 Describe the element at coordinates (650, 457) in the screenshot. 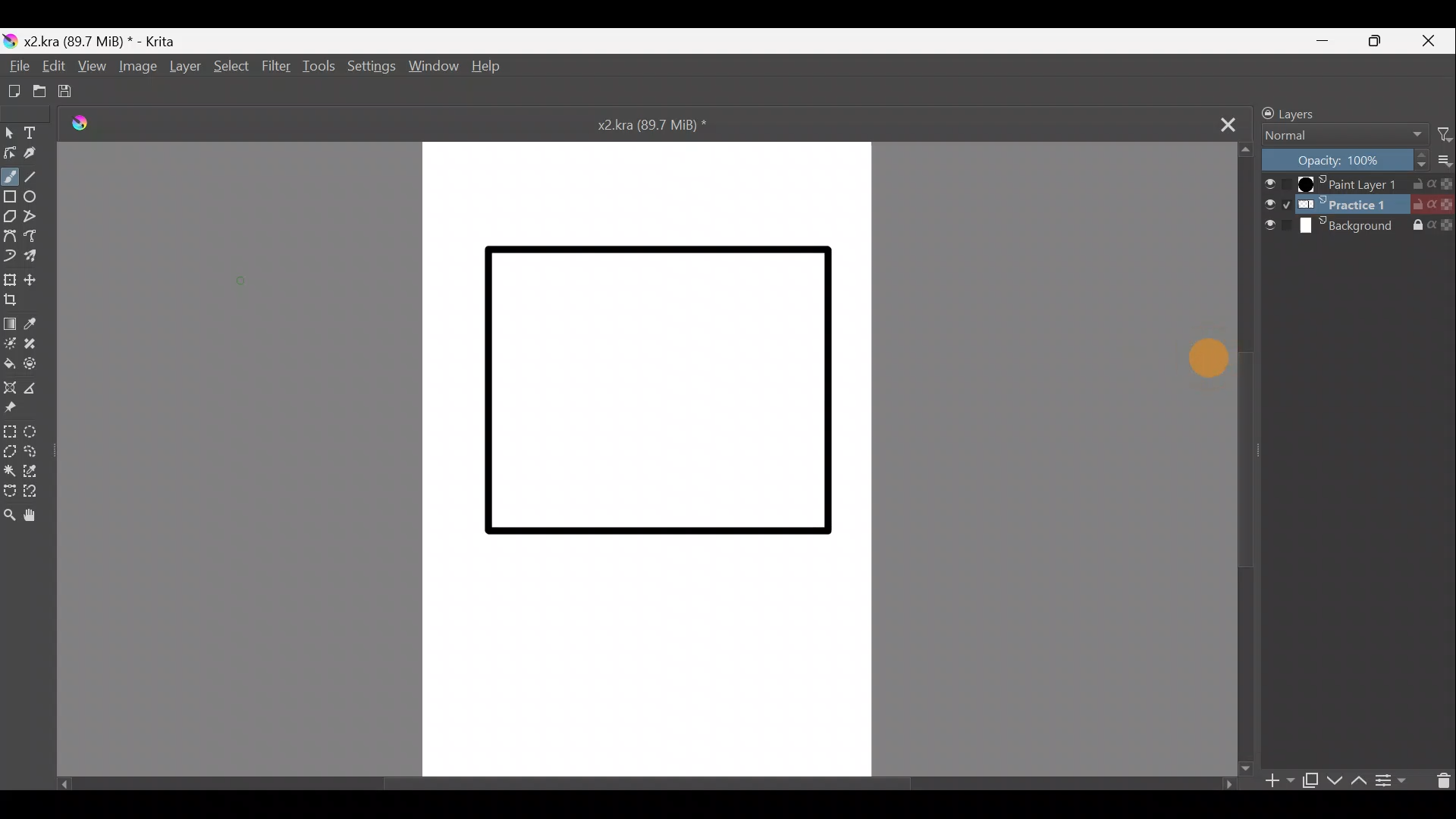

I see `Canvas` at that location.